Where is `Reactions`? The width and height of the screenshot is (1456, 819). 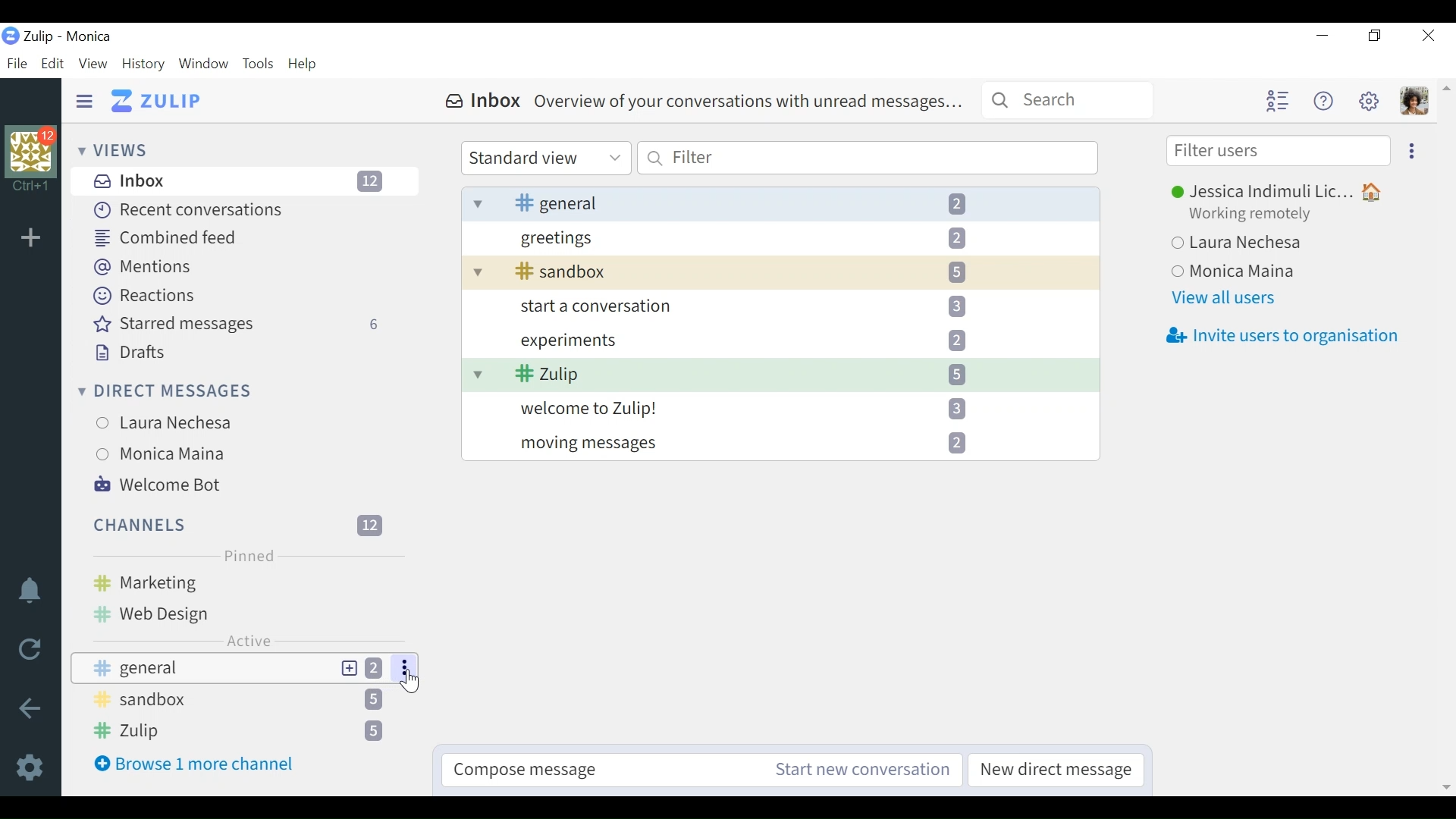
Reactions is located at coordinates (147, 296).